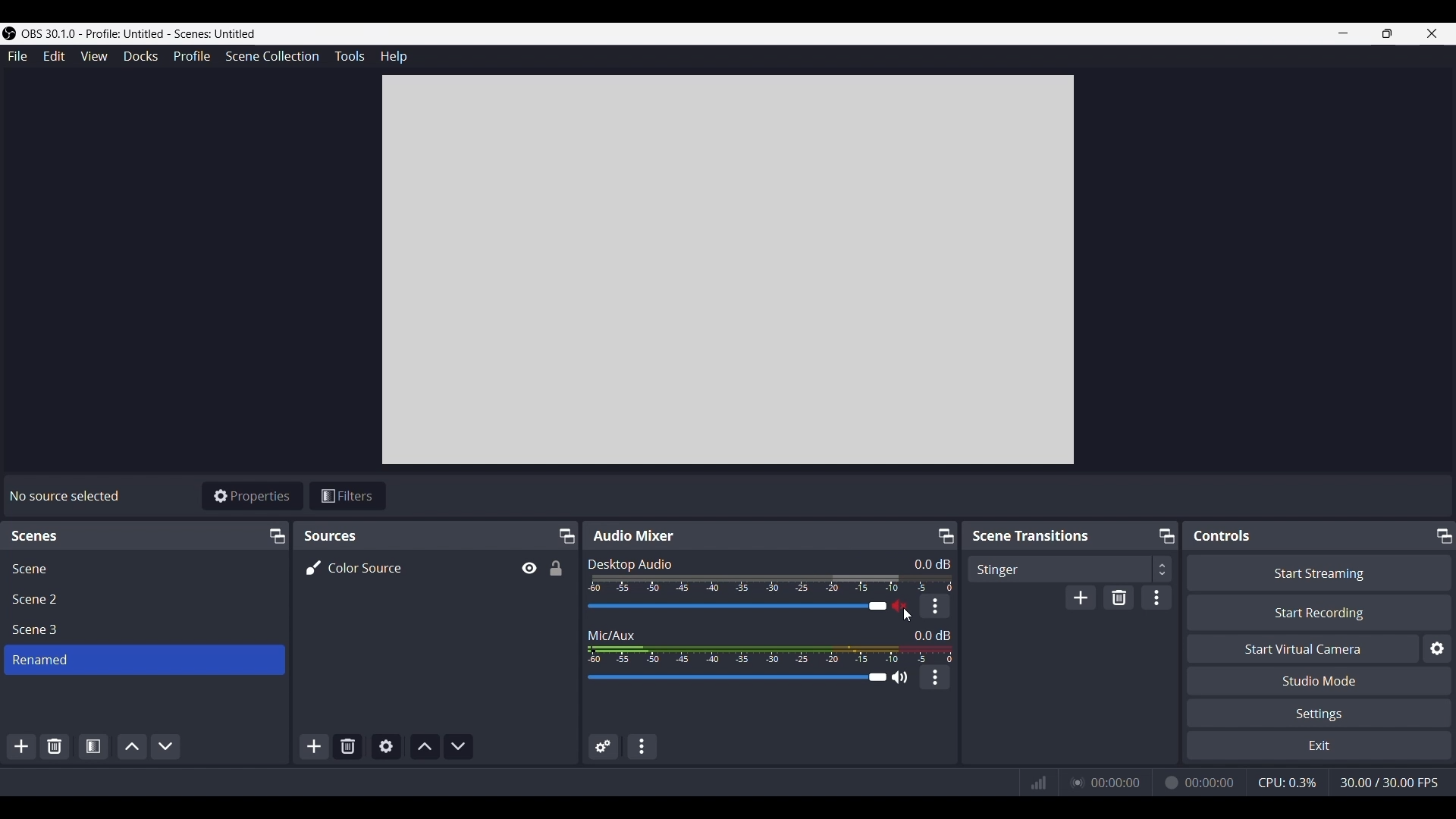  Describe the element at coordinates (93, 56) in the screenshot. I see `View` at that location.